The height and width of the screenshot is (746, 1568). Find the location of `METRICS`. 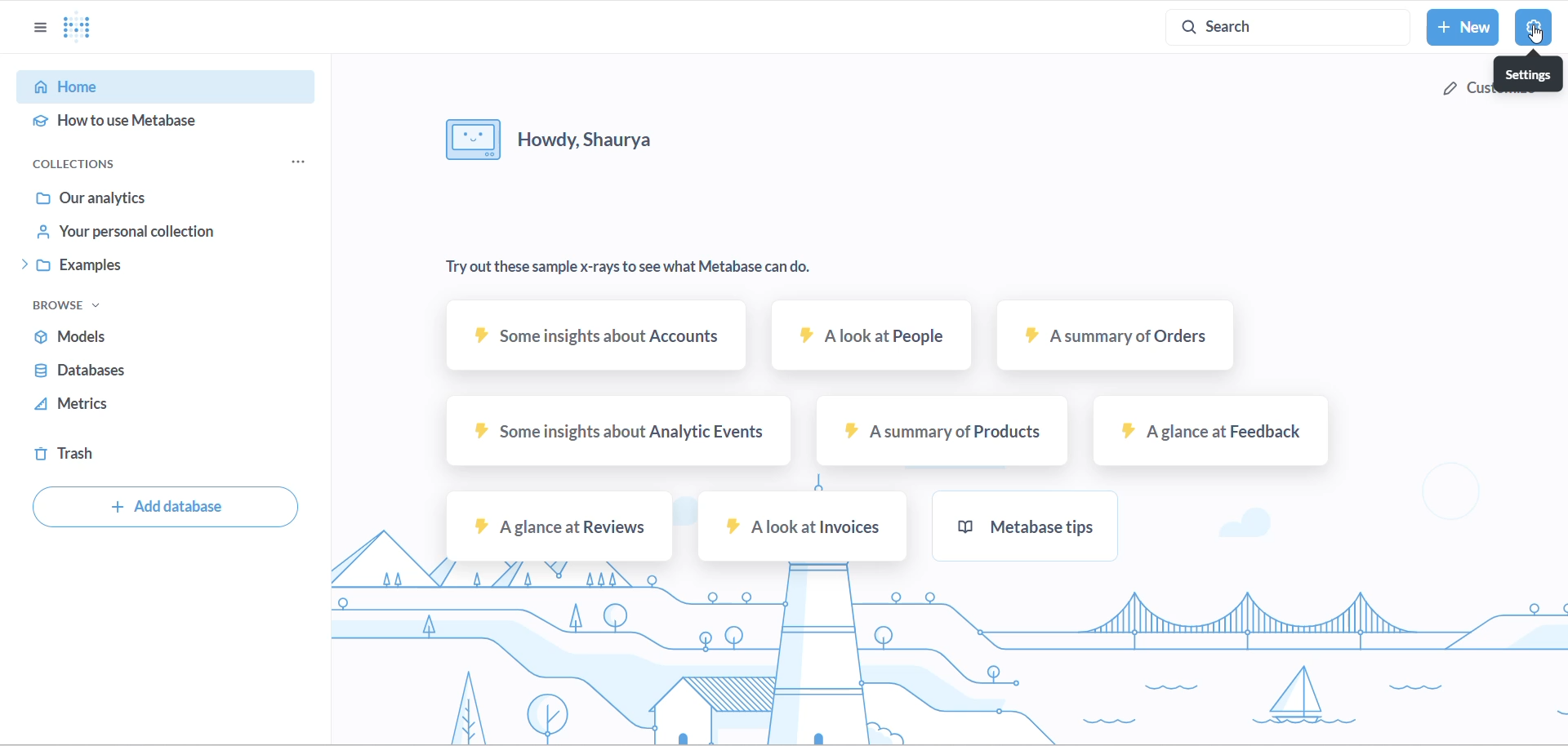

METRICS is located at coordinates (117, 412).